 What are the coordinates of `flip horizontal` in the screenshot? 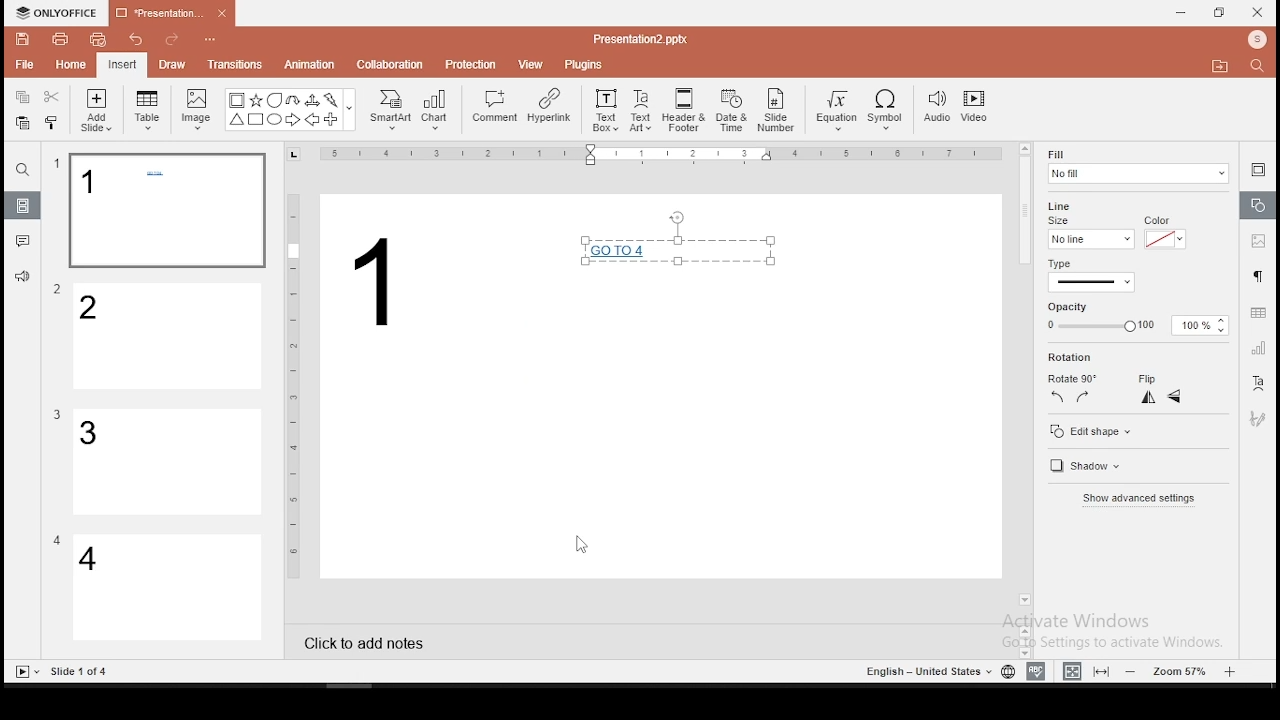 It's located at (1146, 397).